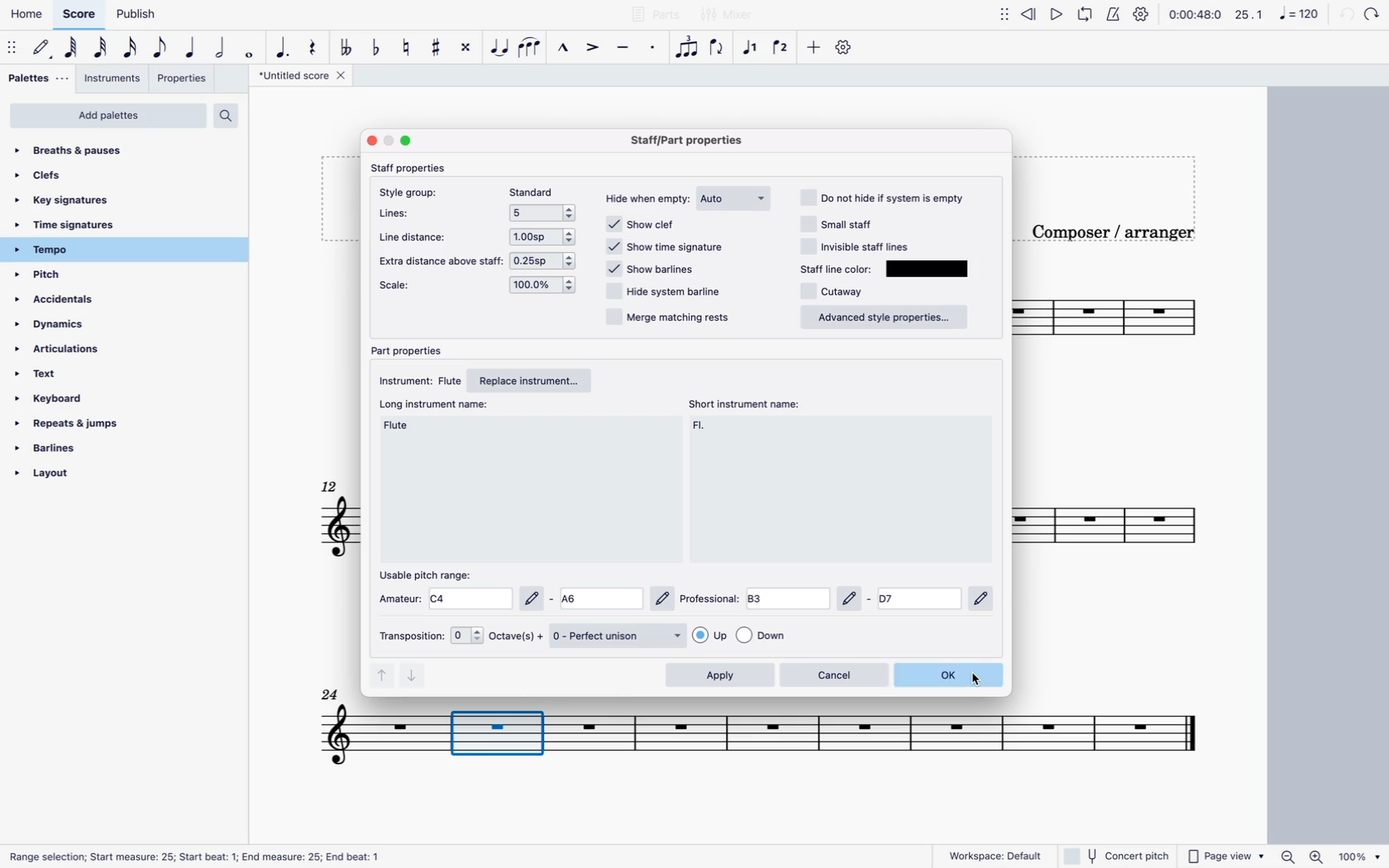  Describe the element at coordinates (687, 141) in the screenshot. I see `staff/part properties` at that location.